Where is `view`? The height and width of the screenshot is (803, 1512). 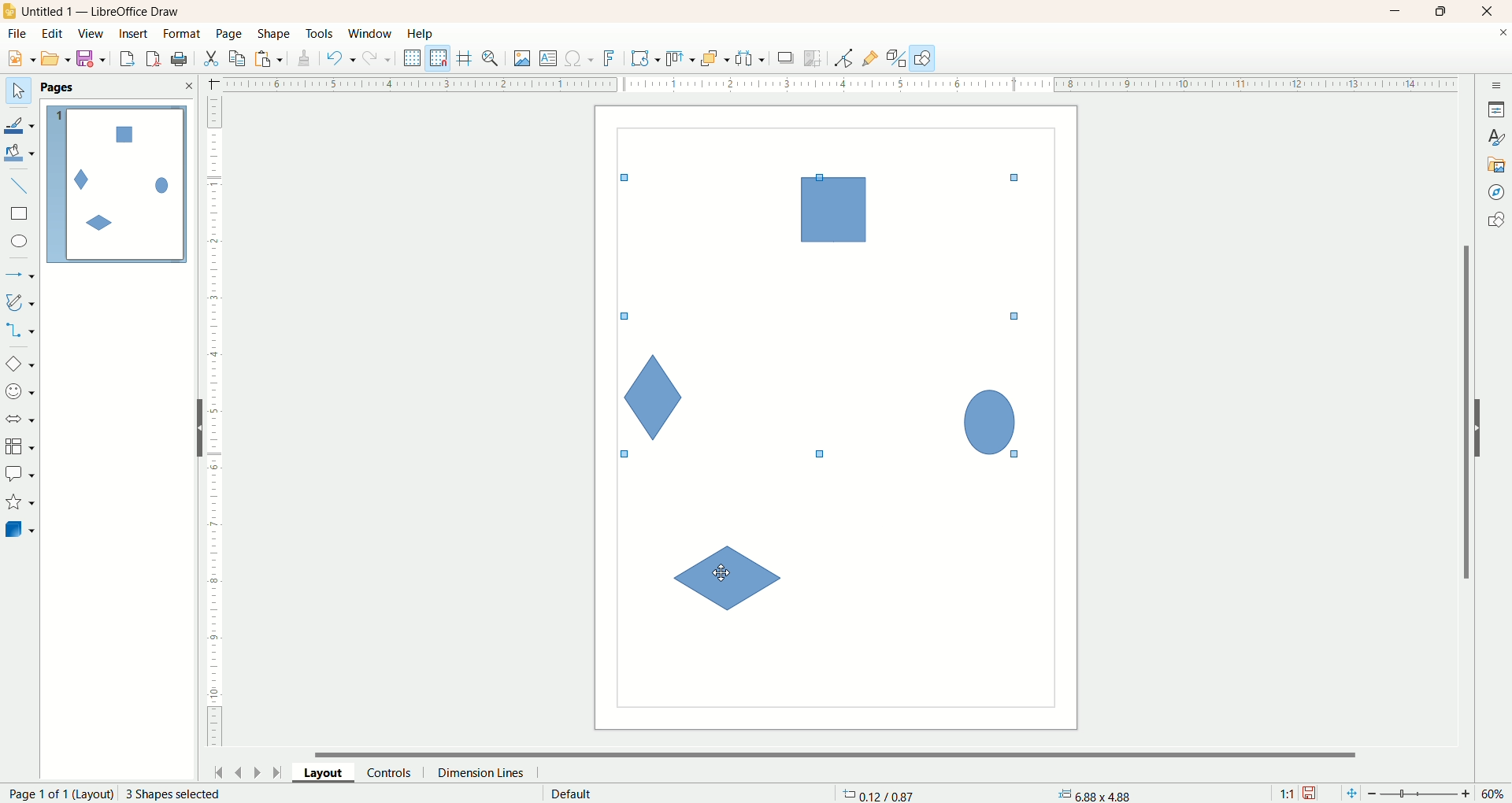 view is located at coordinates (92, 34).